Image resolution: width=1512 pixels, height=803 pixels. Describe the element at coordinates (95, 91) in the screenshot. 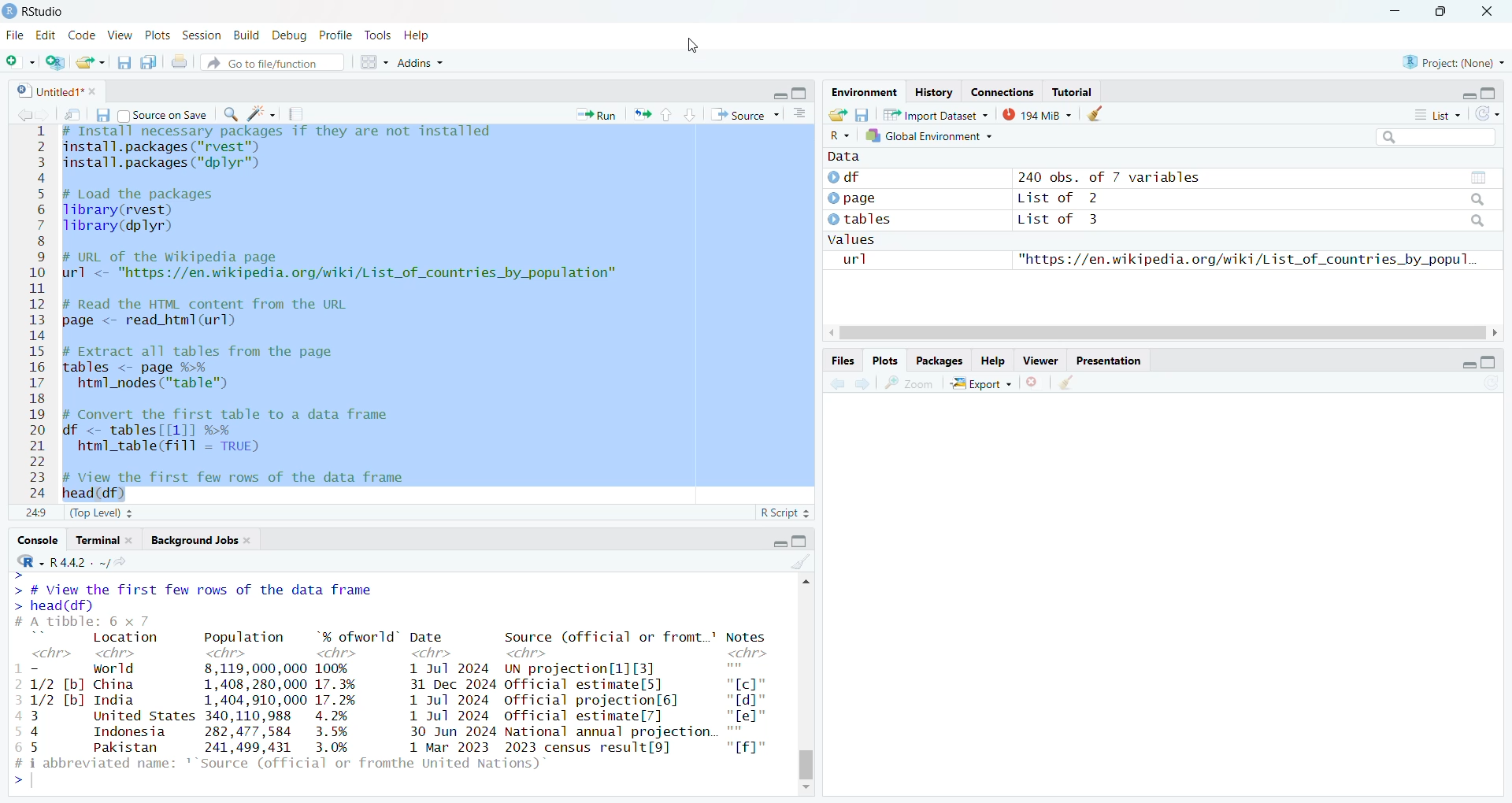

I see `close` at that location.